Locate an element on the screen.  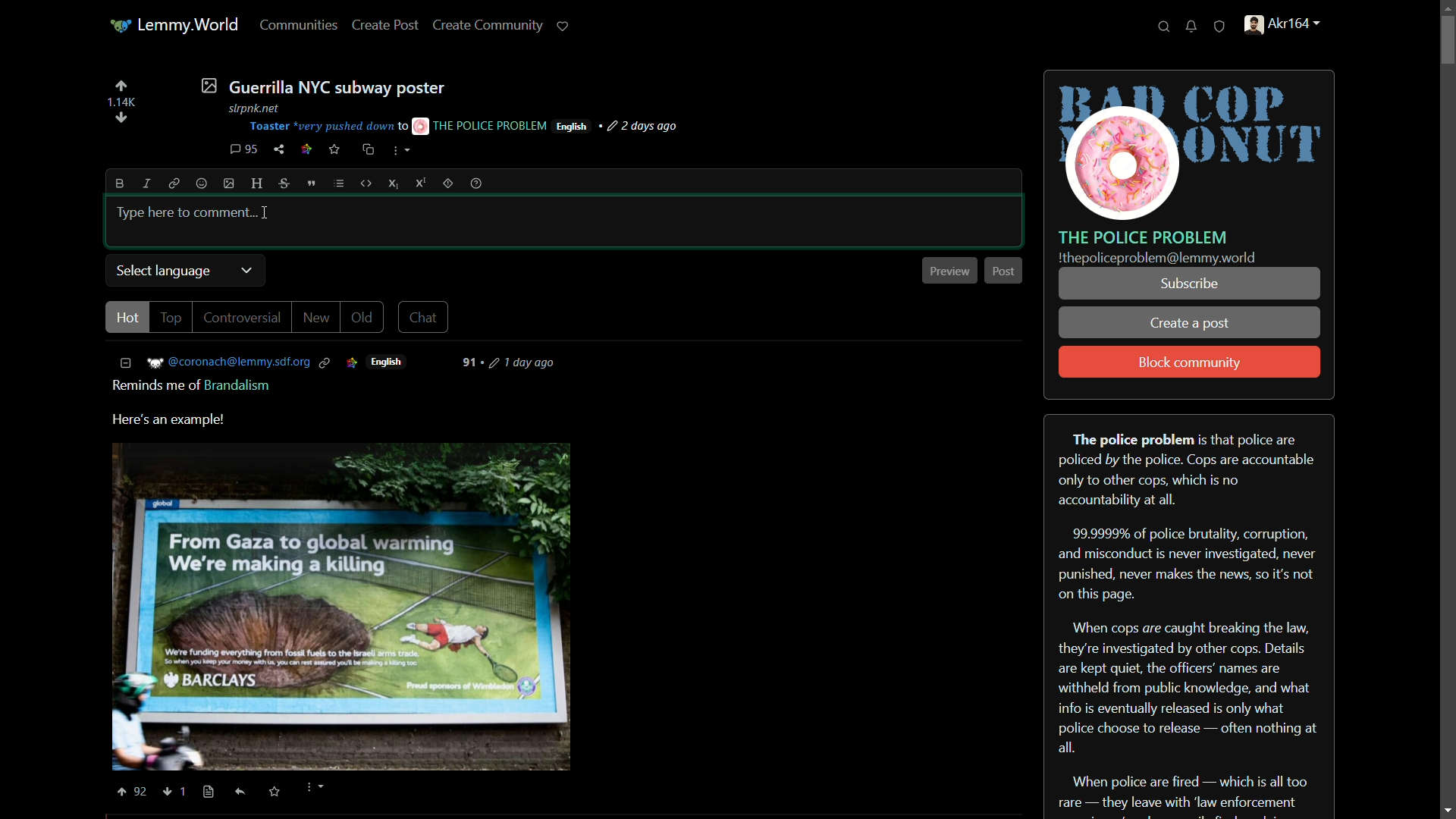
header is located at coordinates (258, 184).